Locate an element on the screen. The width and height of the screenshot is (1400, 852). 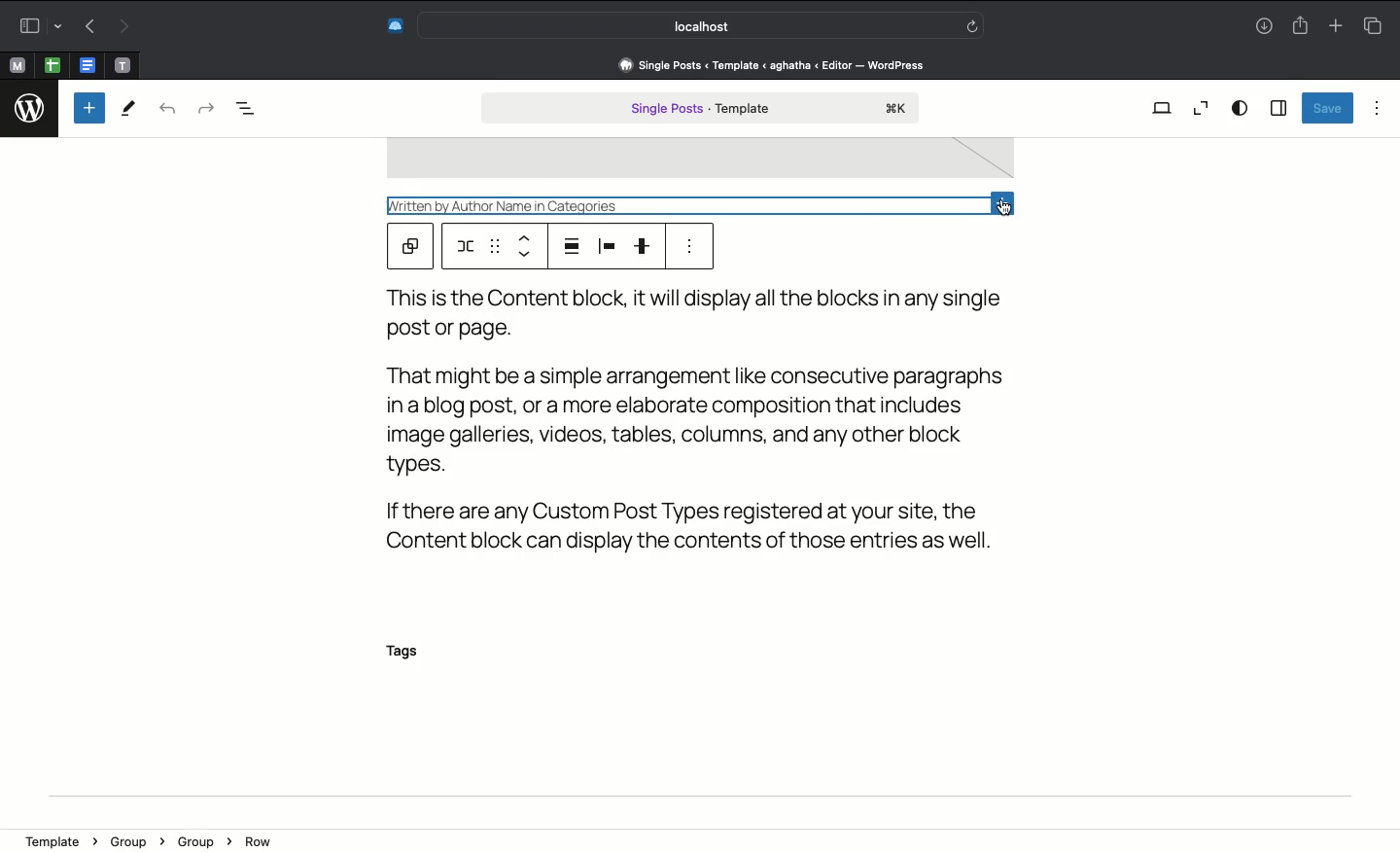
Item justification is located at coordinates (606, 247).